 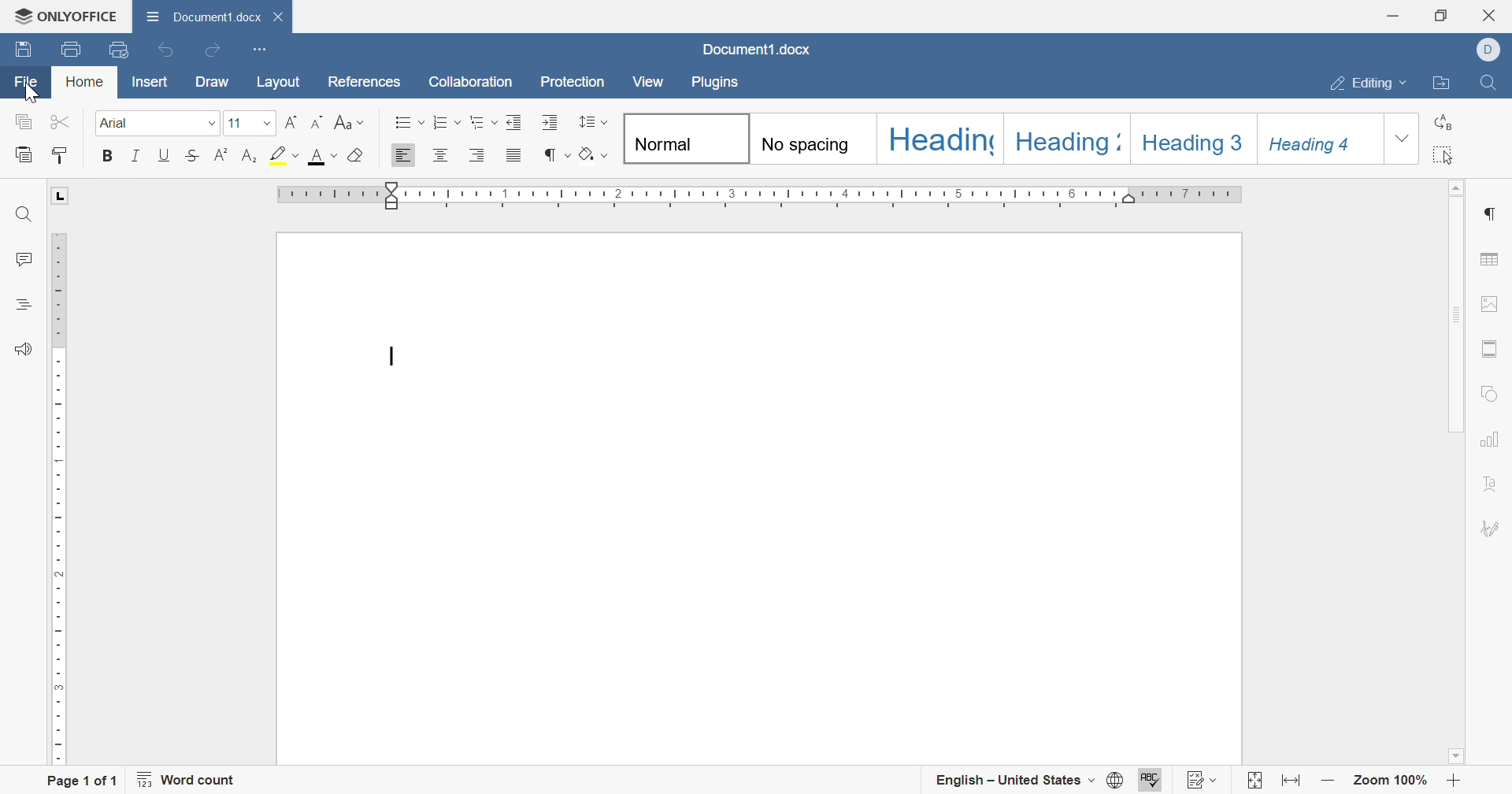 I want to click on collaboration, so click(x=471, y=83).